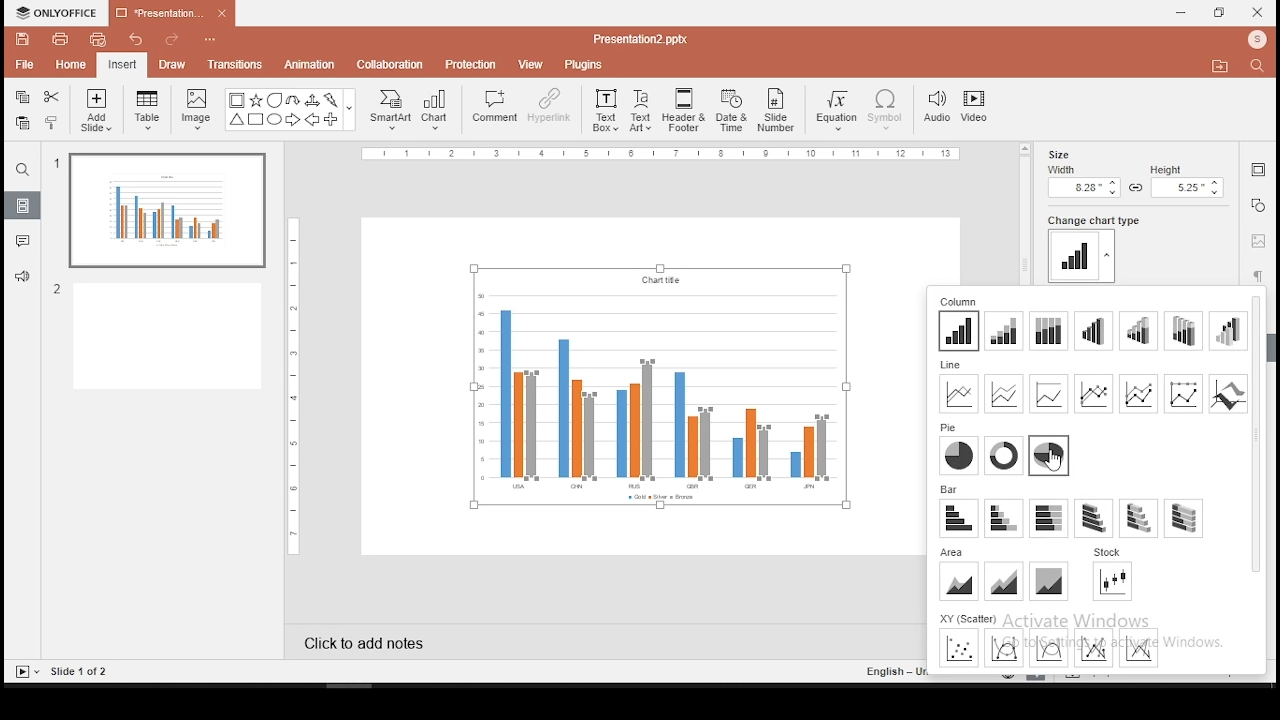 This screenshot has height=720, width=1280. I want to click on line 3, so click(1047, 393).